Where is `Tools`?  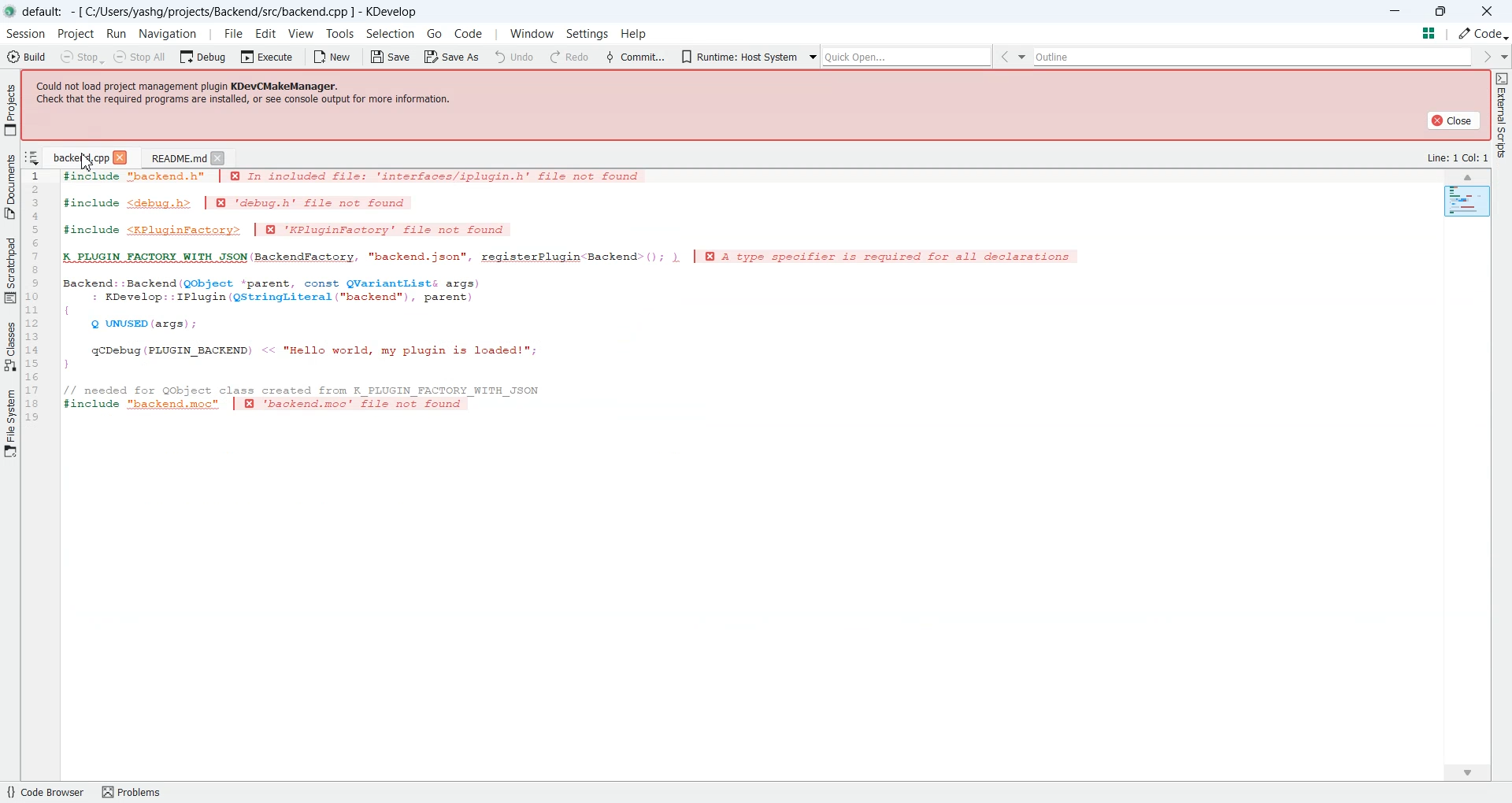 Tools is located at coordinates (339, 34).